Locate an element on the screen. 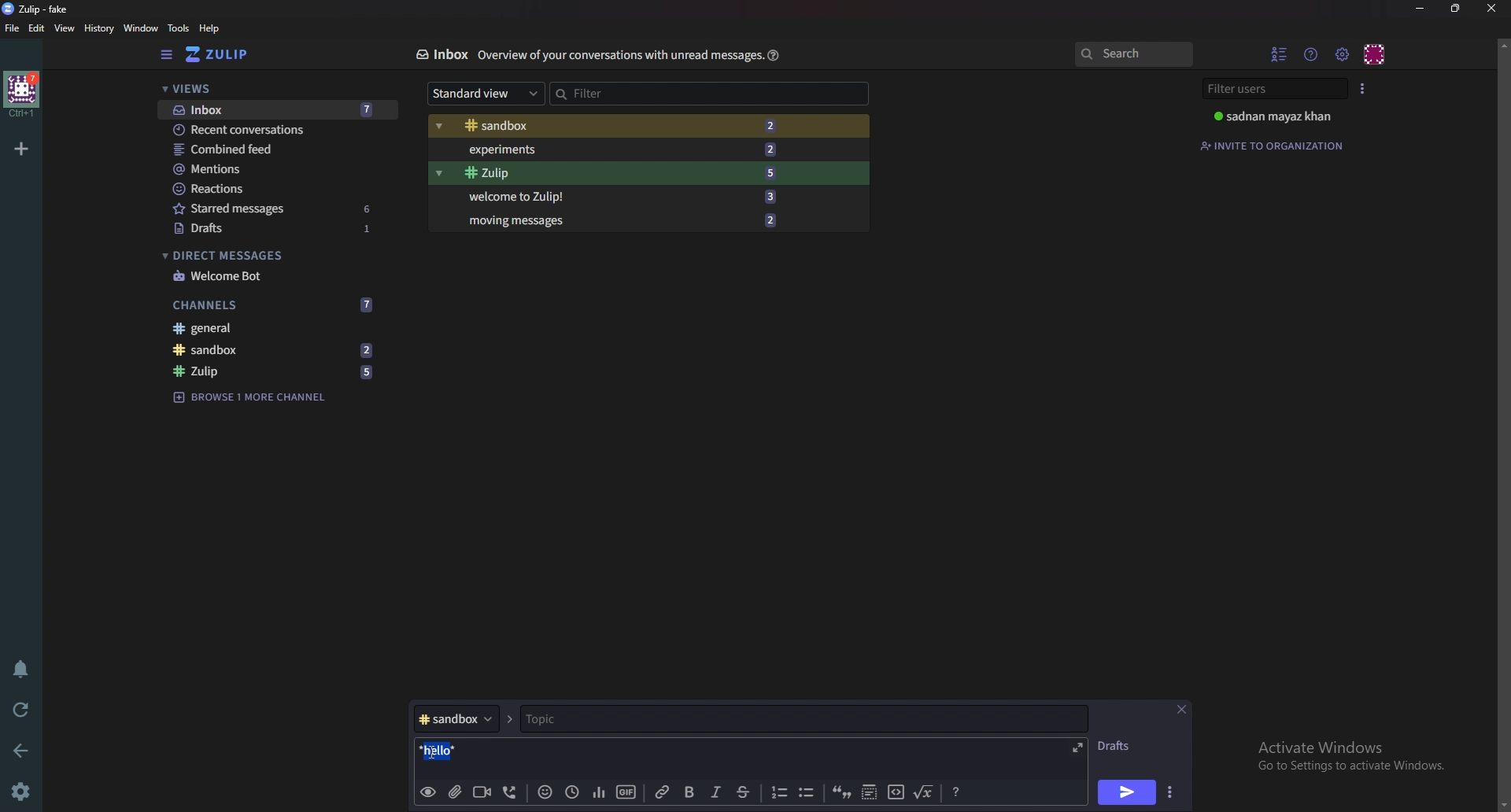  home view is located at coordinates (217, 54).